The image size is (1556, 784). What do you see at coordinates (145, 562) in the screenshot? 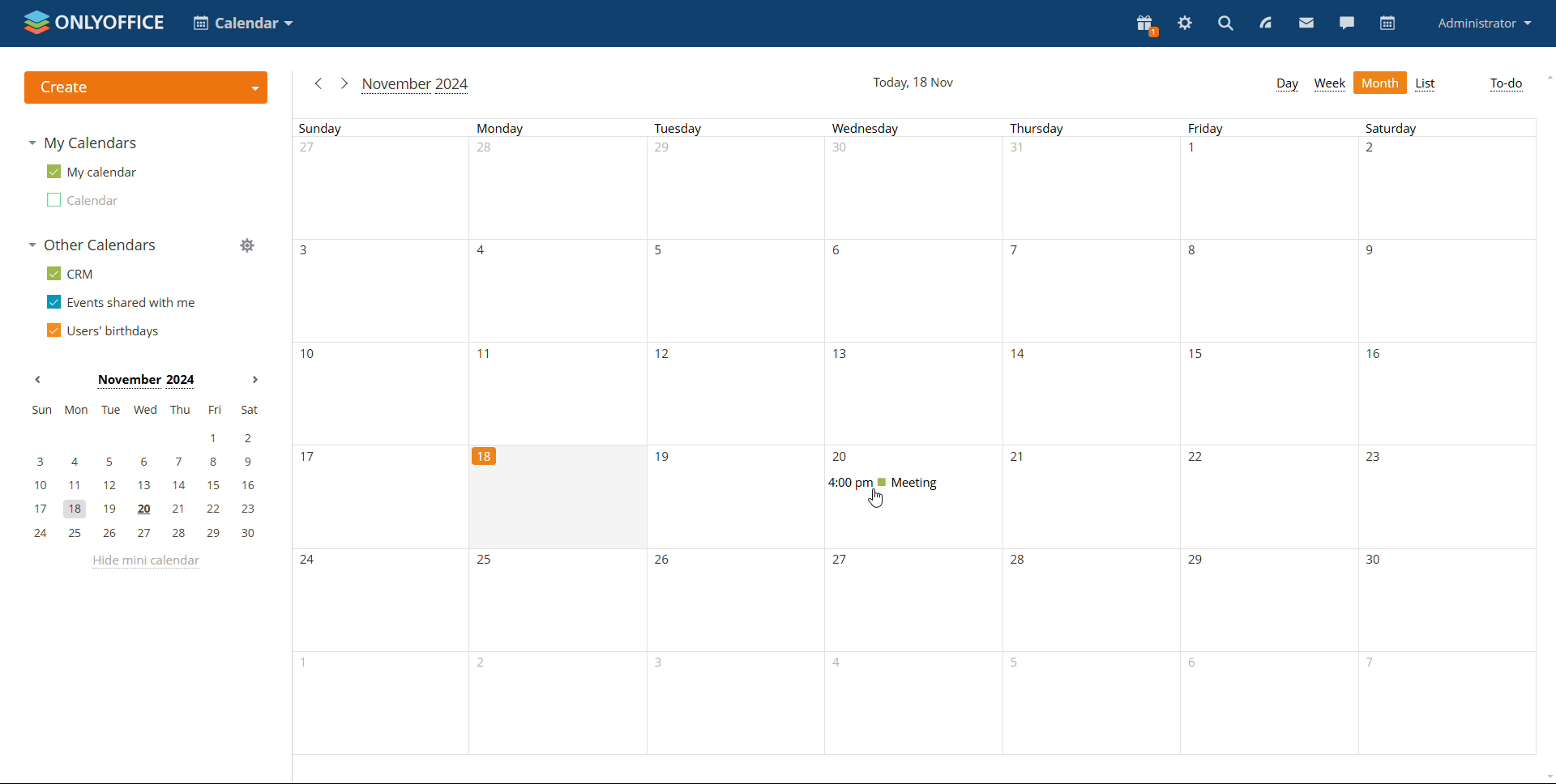
I see `hide mini calendar` at bounding box center [145, 562].